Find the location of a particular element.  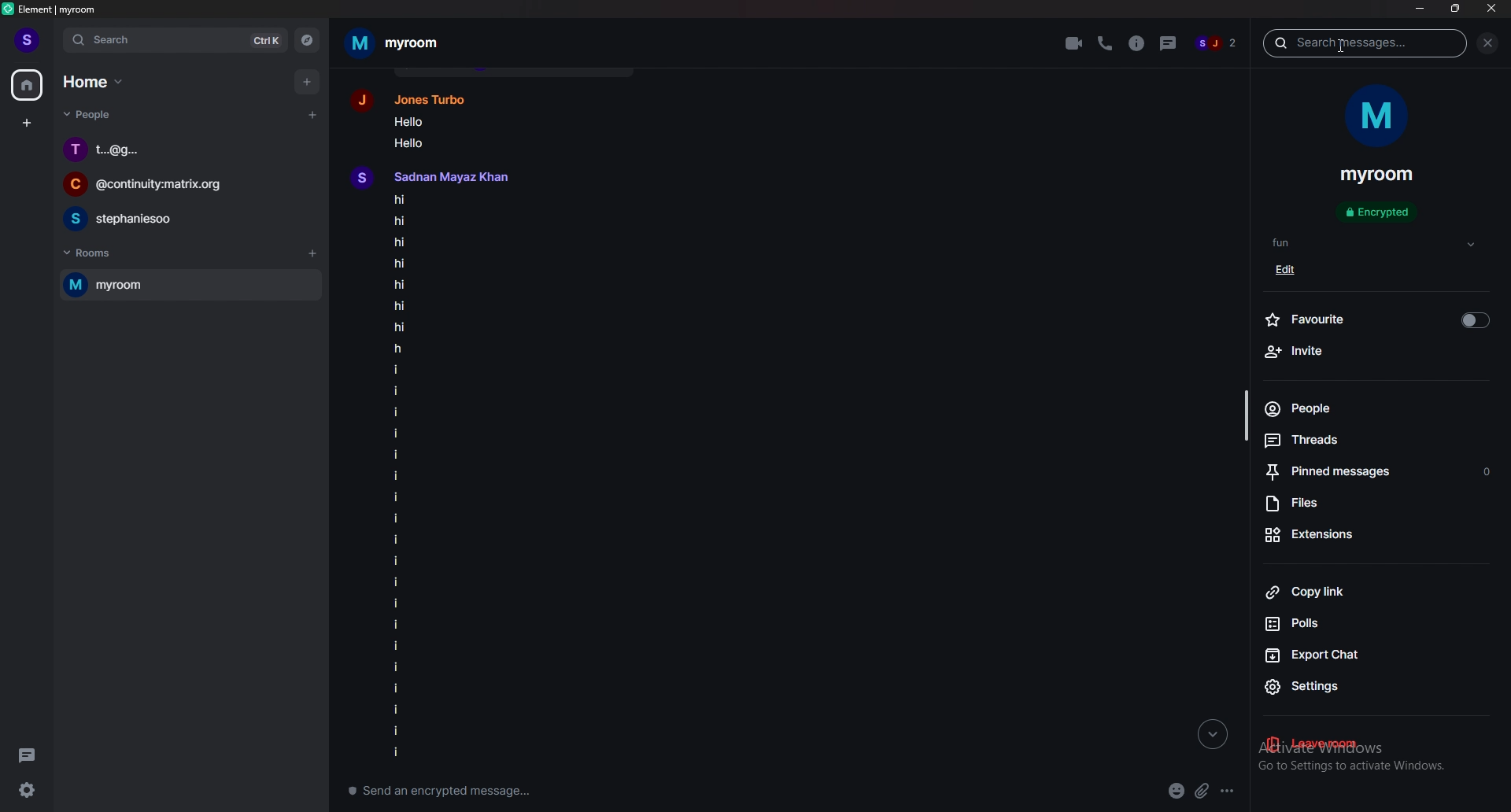

threads is located at coordinates (30, 755).